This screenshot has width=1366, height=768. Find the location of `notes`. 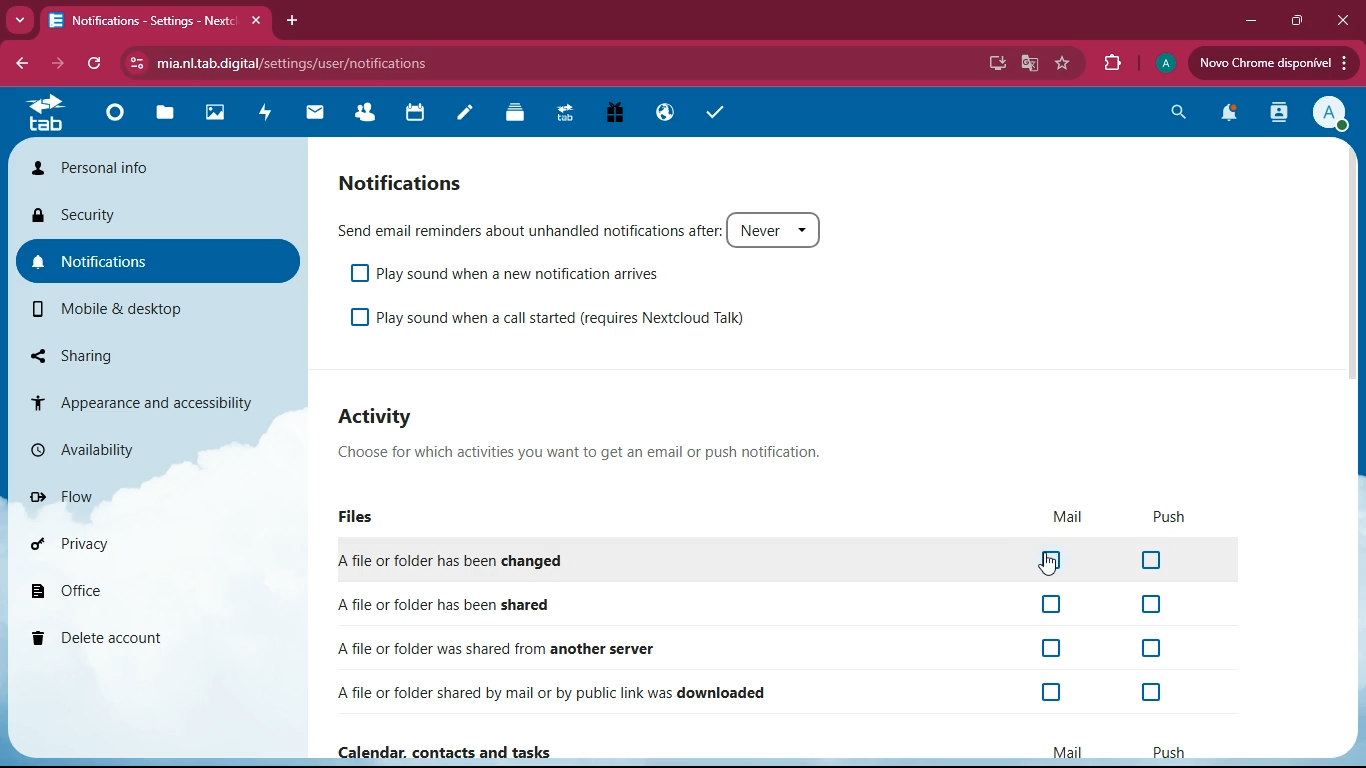

notes is located at coordinates (468, 116).